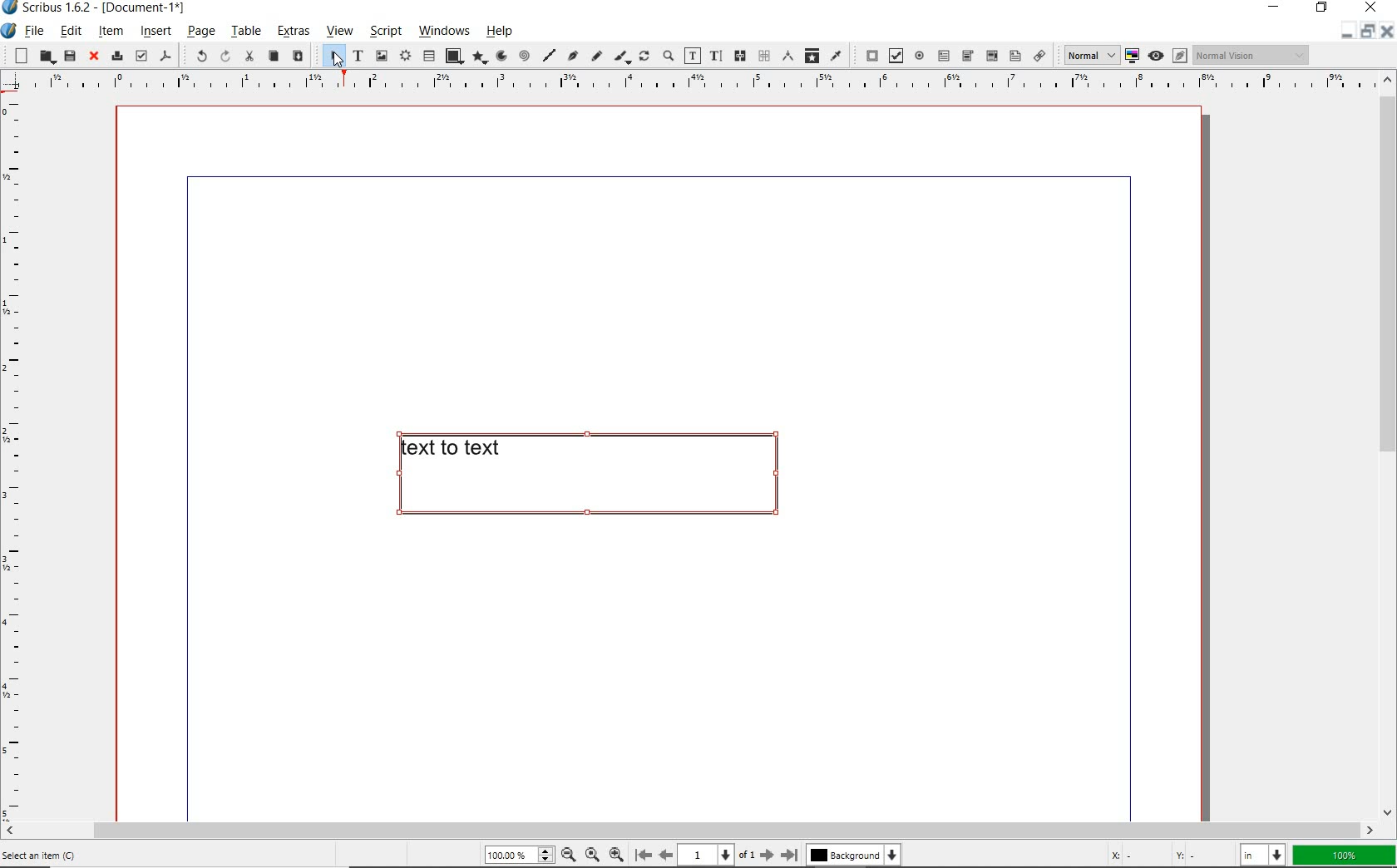 Image resolution: width=1397 pixels, height=868 pixels. What do you see at coordinates (69, 56) in the screenshot?
I see `save` at bounding box center [69, 56].